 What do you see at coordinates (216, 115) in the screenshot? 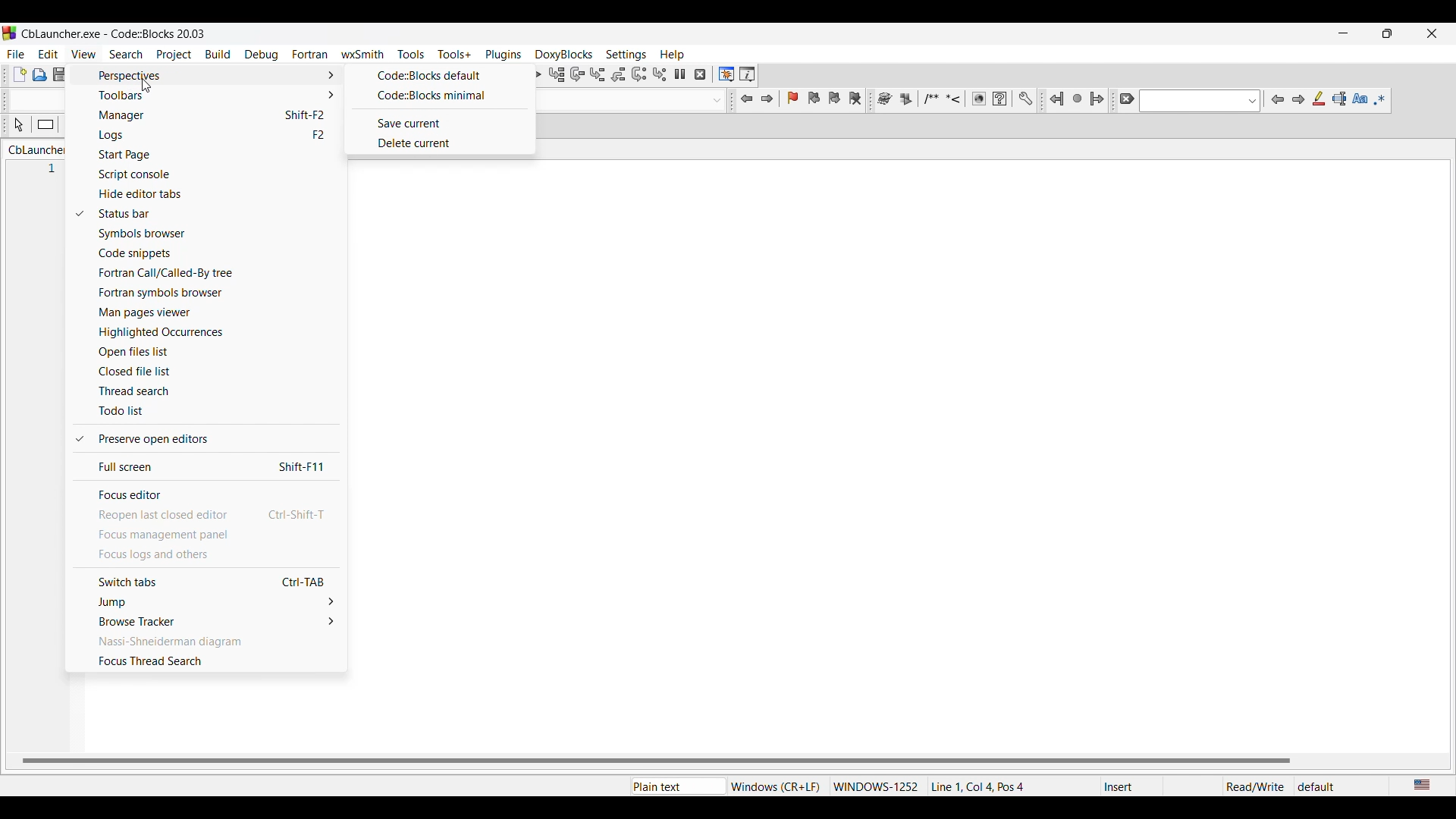
I see `Manager` at bounding box center [216, 115].